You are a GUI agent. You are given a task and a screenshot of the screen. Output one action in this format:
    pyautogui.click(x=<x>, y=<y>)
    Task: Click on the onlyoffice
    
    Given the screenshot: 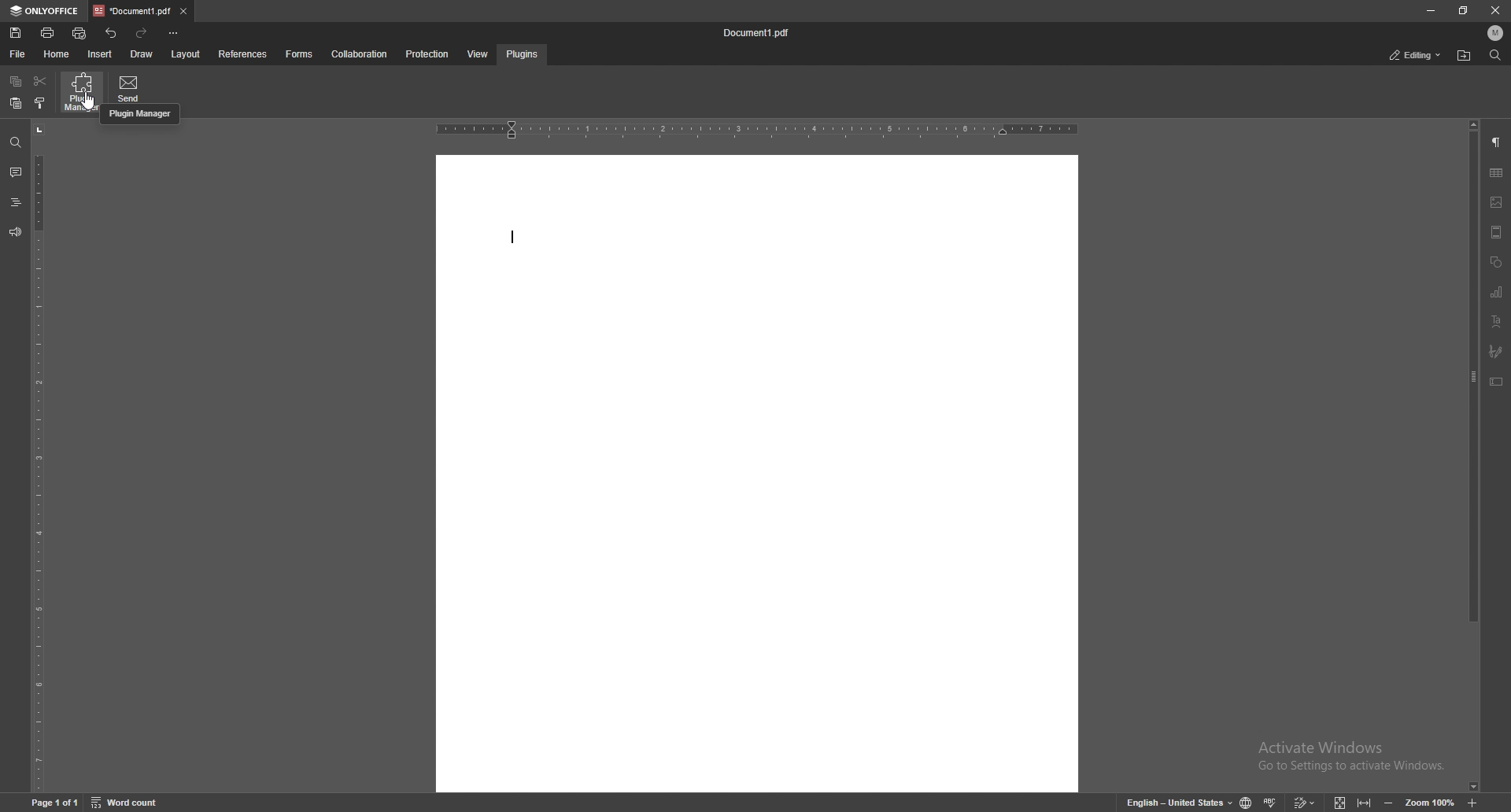 What is the action you would take?
    pyautogui.click(x=46, y=11)
    